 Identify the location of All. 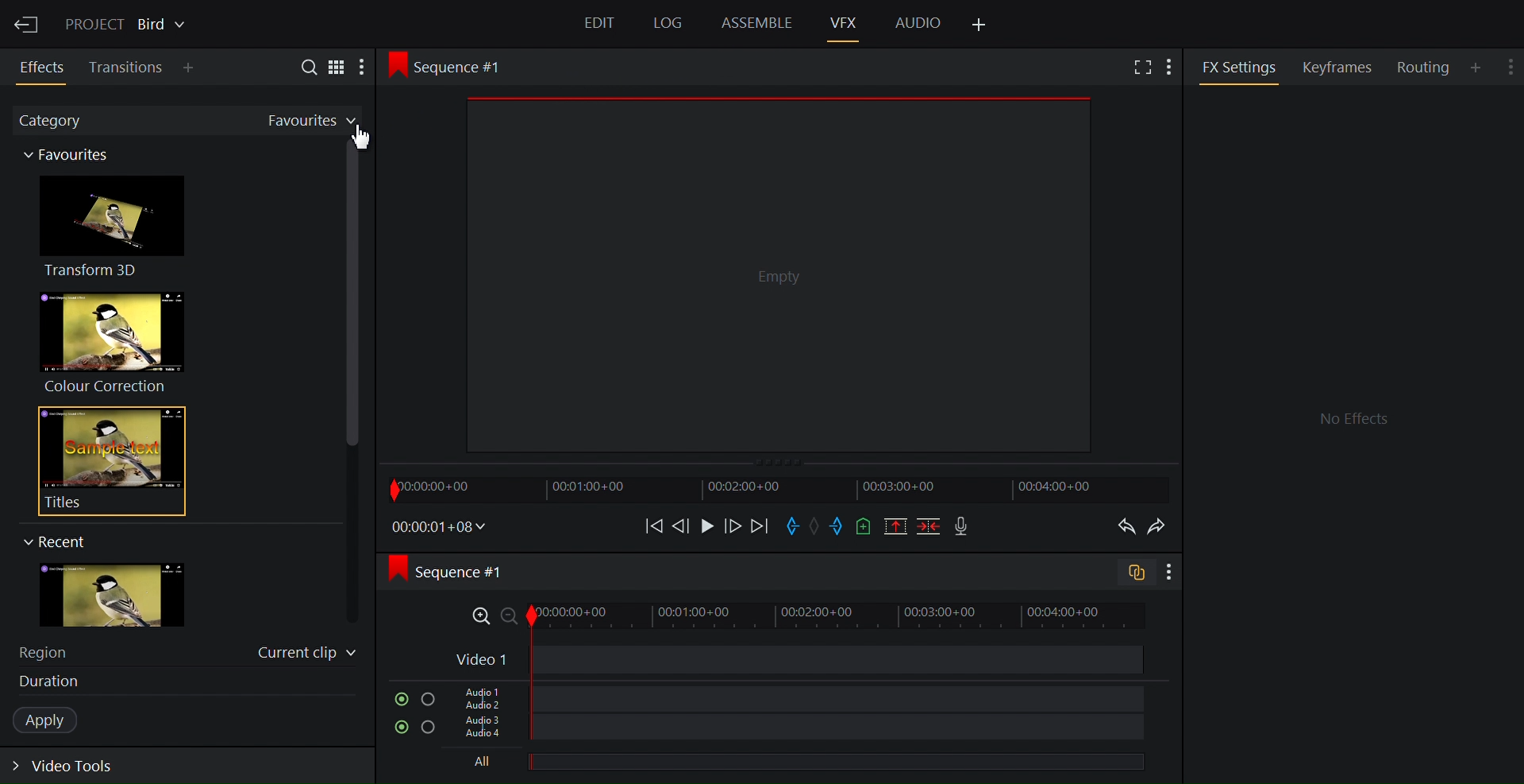
(790, 763).